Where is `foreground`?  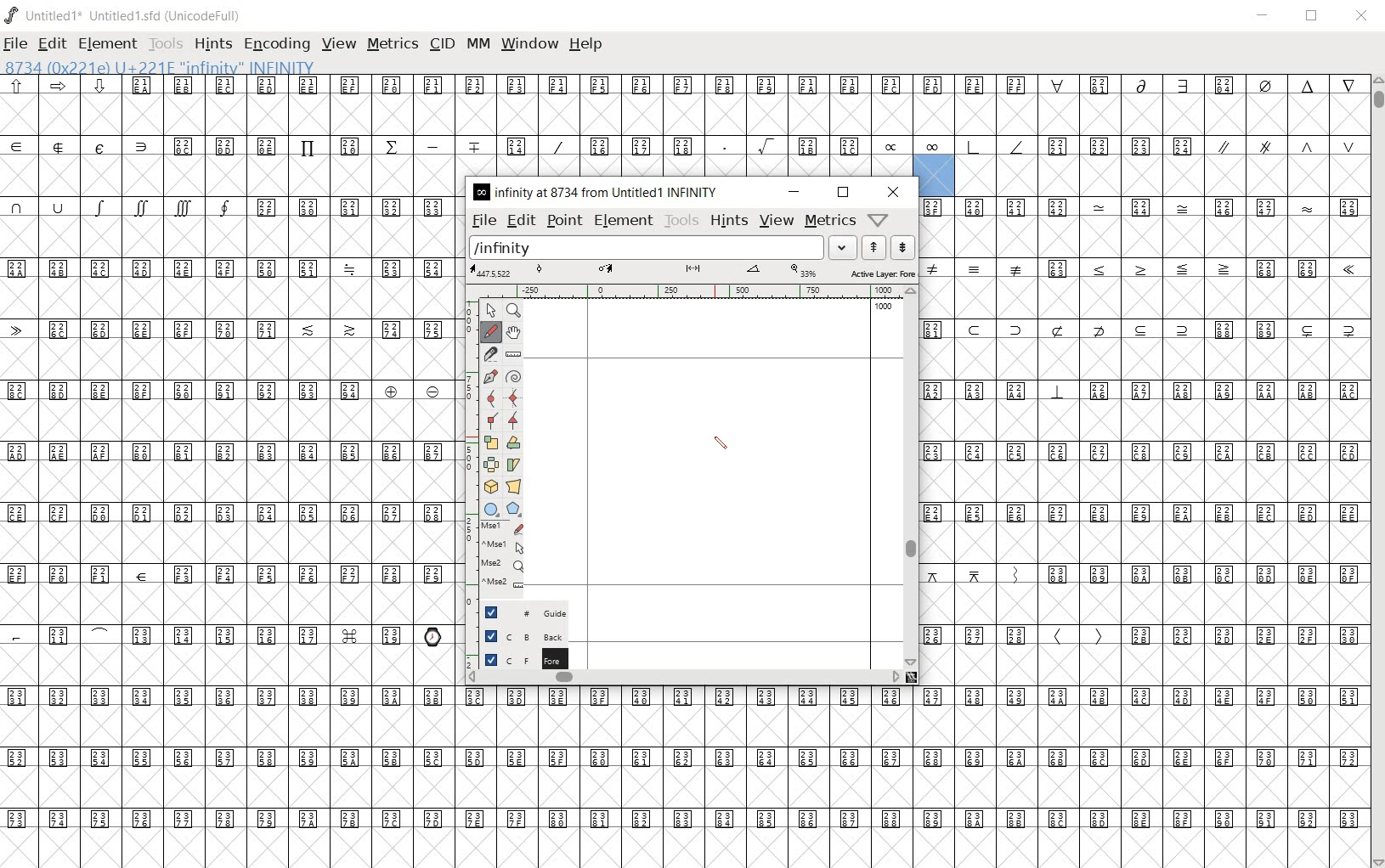 foreground is located at coordinates (516, 660).